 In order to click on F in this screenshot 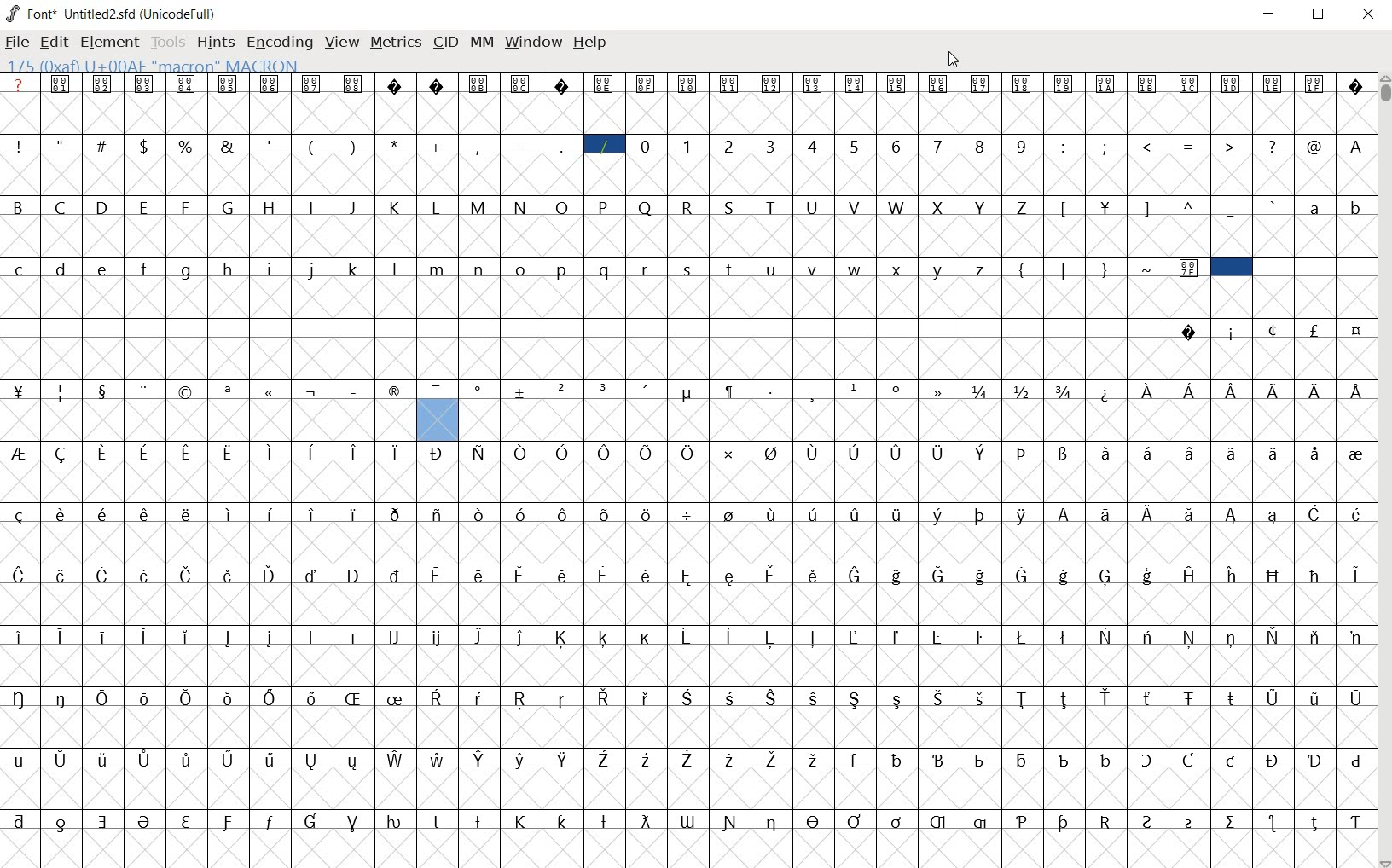, I will do `click(188, 206)`.